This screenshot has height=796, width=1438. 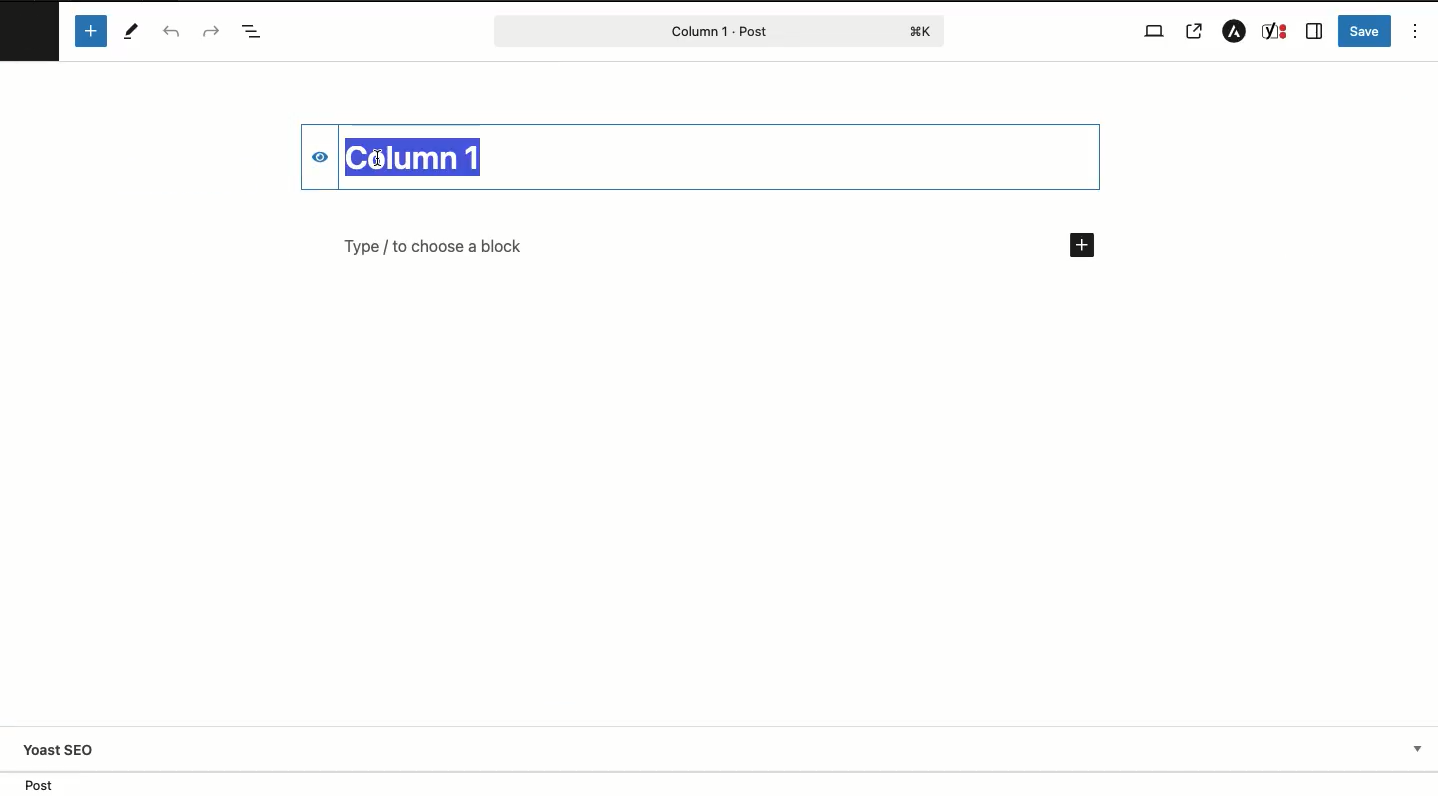 I want to click on Cursor, so click(x=378, y=157).